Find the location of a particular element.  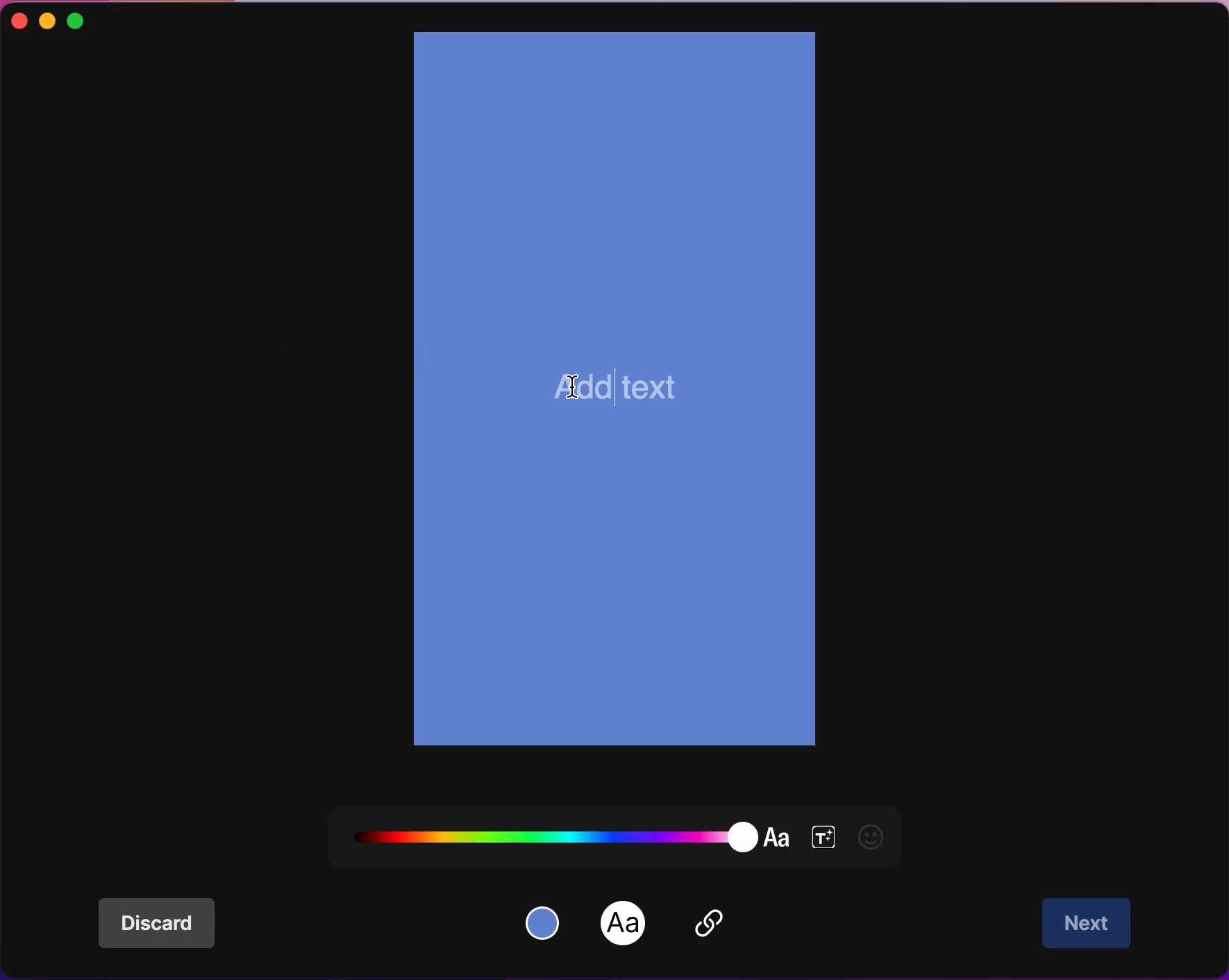

insert is located at coordinates (727, 928).